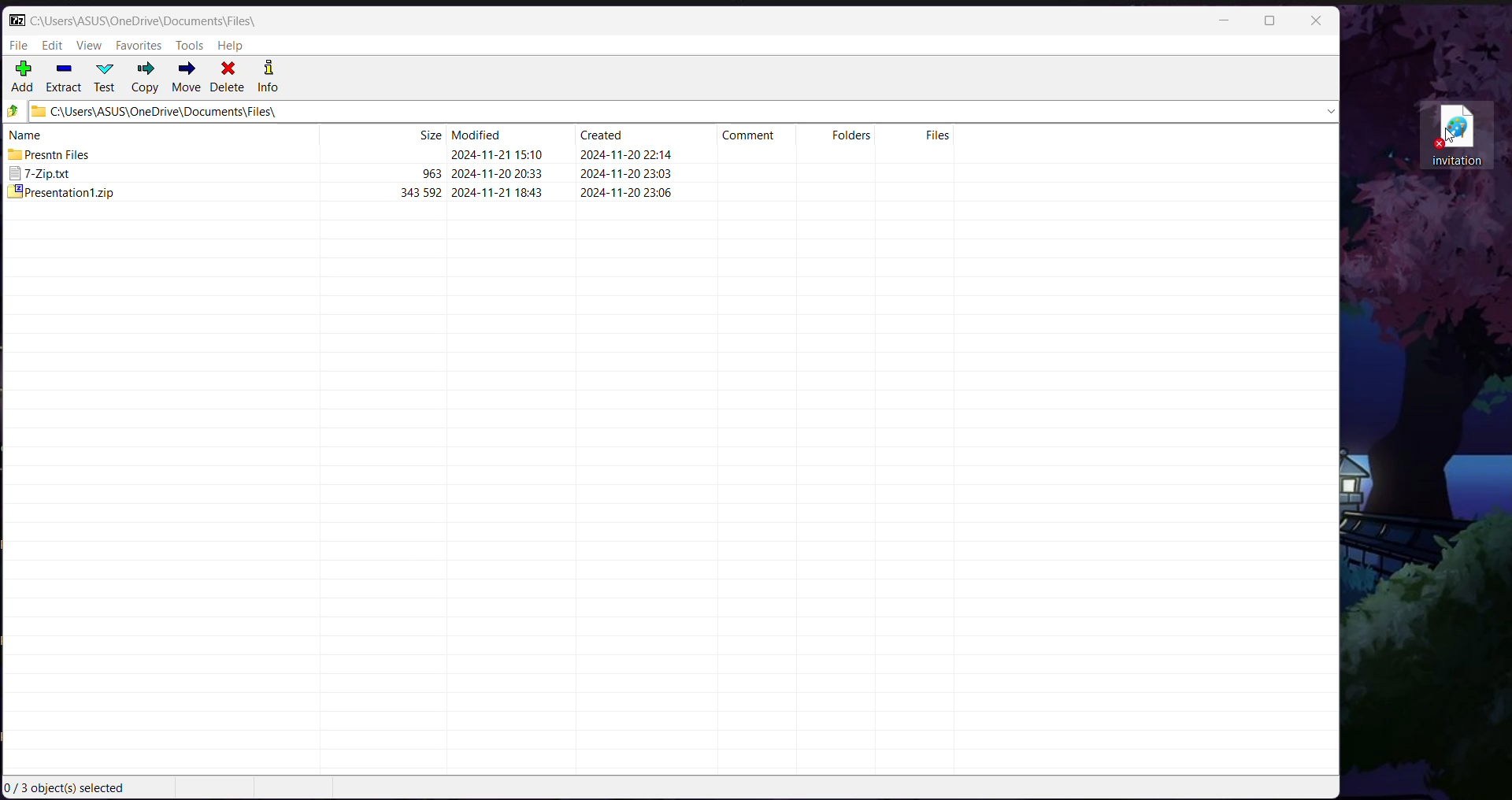 The height and width of the screenshot is (800, 1512). I want to click on Add, so click(24, 78).